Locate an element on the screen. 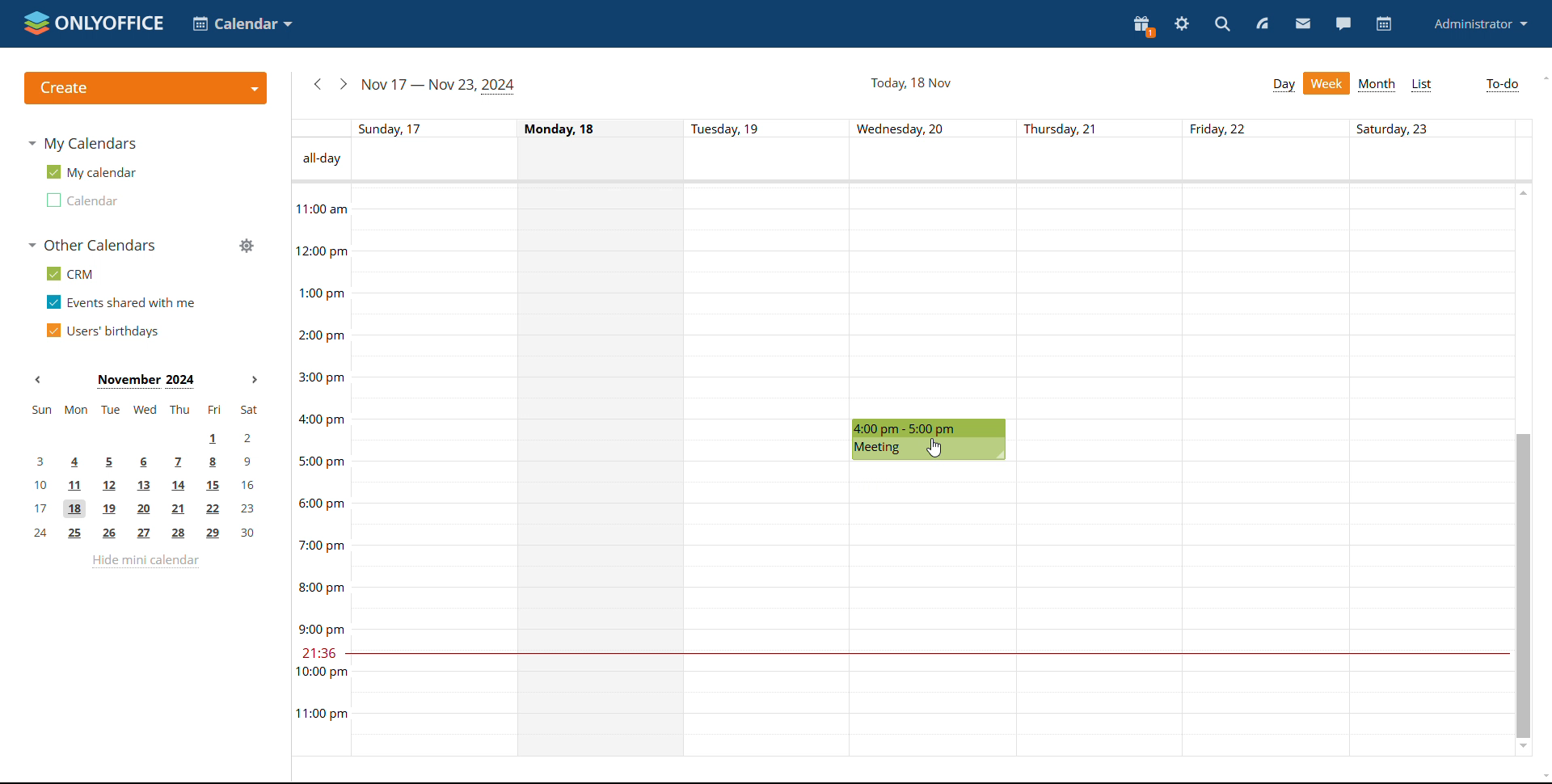 This screenshot has width=1552, height=784. select application is located at coordinates (242, 23).